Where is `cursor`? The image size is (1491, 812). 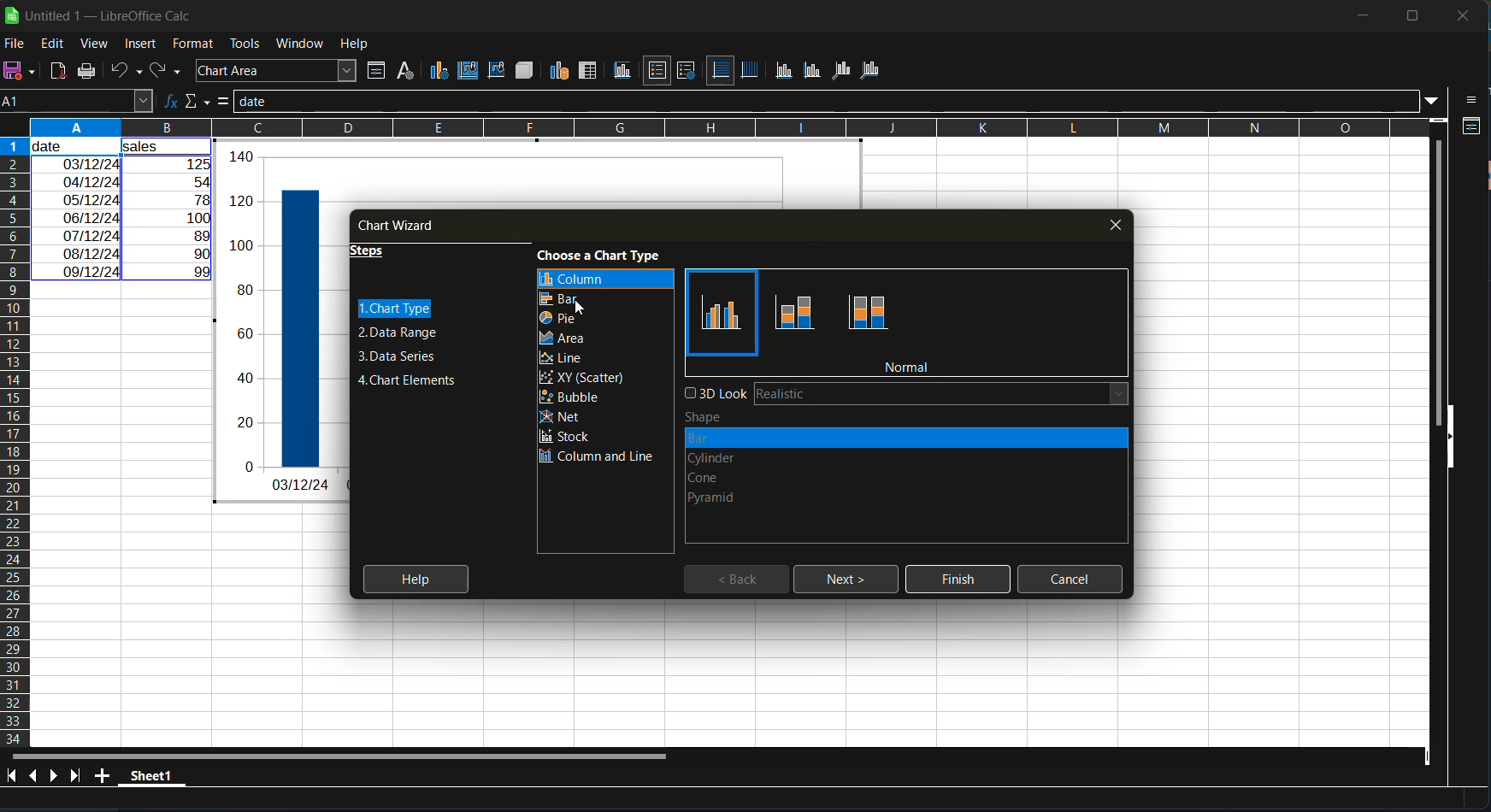 cursor is located at coordinates (581, 308).